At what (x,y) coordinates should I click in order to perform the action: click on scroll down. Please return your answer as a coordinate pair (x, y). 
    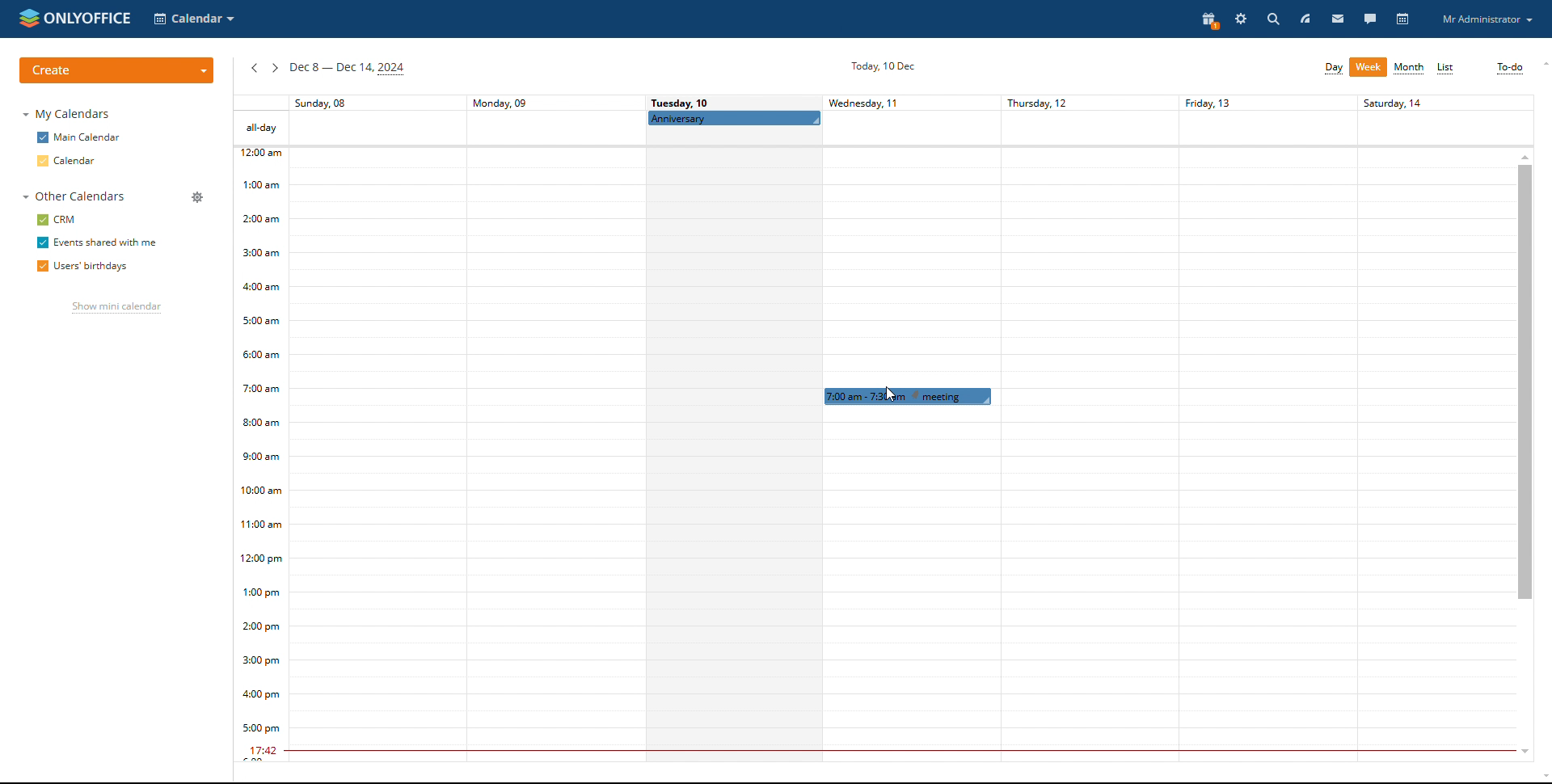
    Looking at the image, I should click on (1520, 753).